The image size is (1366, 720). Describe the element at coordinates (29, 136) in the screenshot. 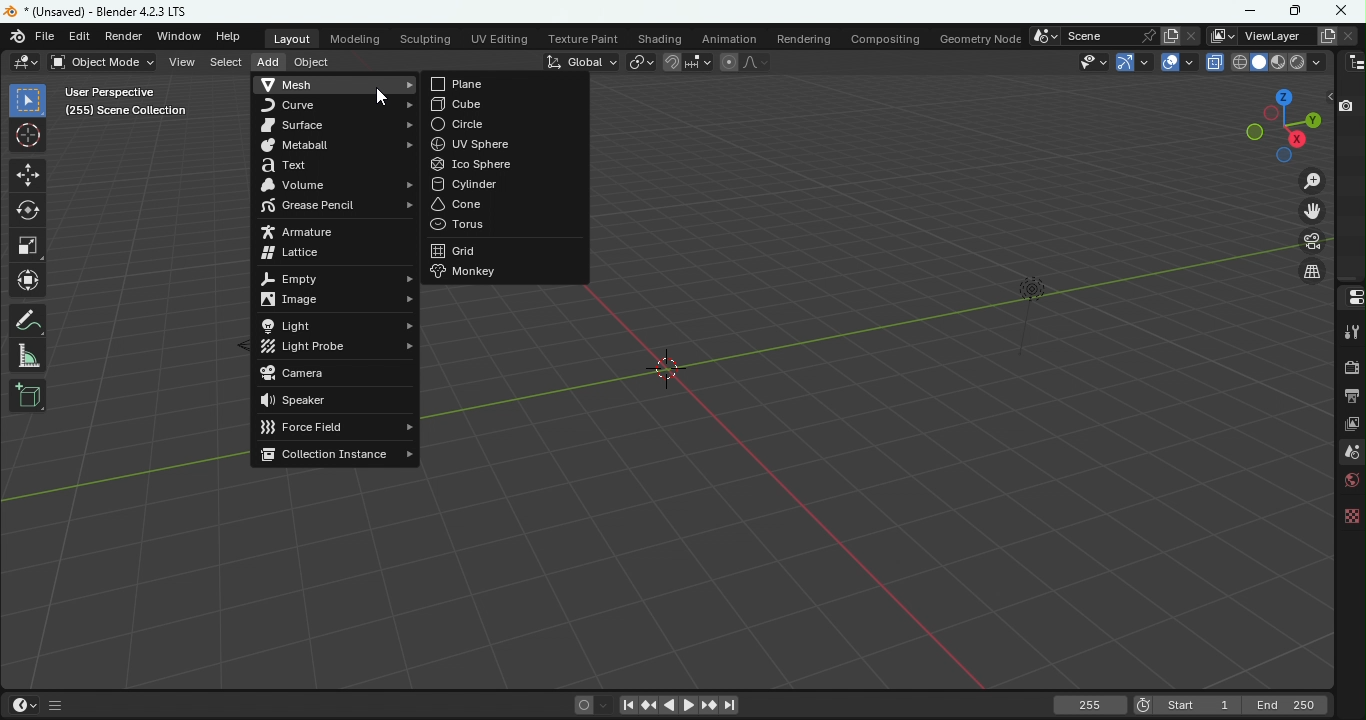

I see `Cursor` at that location.